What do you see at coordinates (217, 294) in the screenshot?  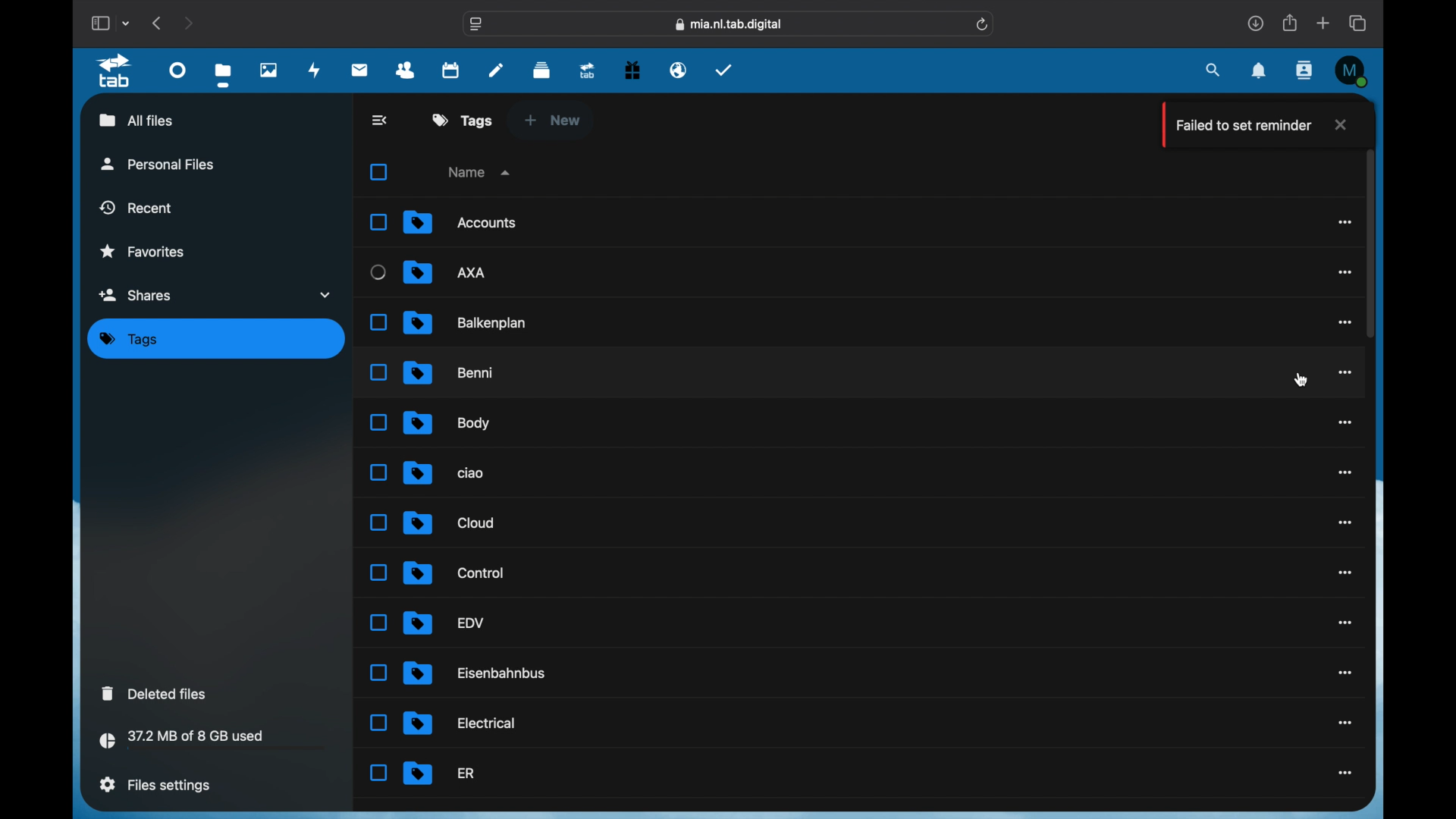 I see `shares` at bounding box center [217, 294].